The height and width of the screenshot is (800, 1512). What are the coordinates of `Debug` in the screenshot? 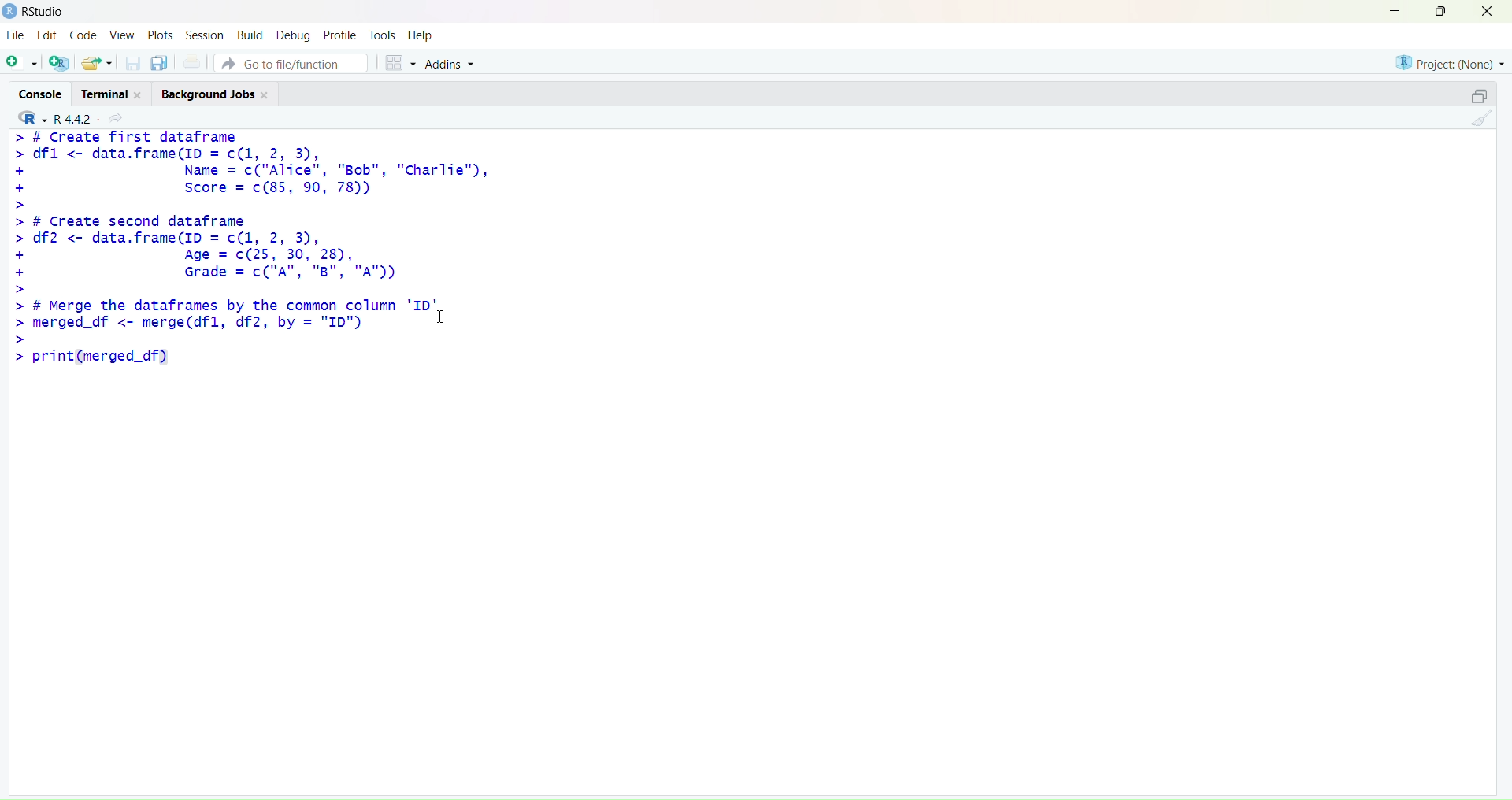 It's located at (293, 36).